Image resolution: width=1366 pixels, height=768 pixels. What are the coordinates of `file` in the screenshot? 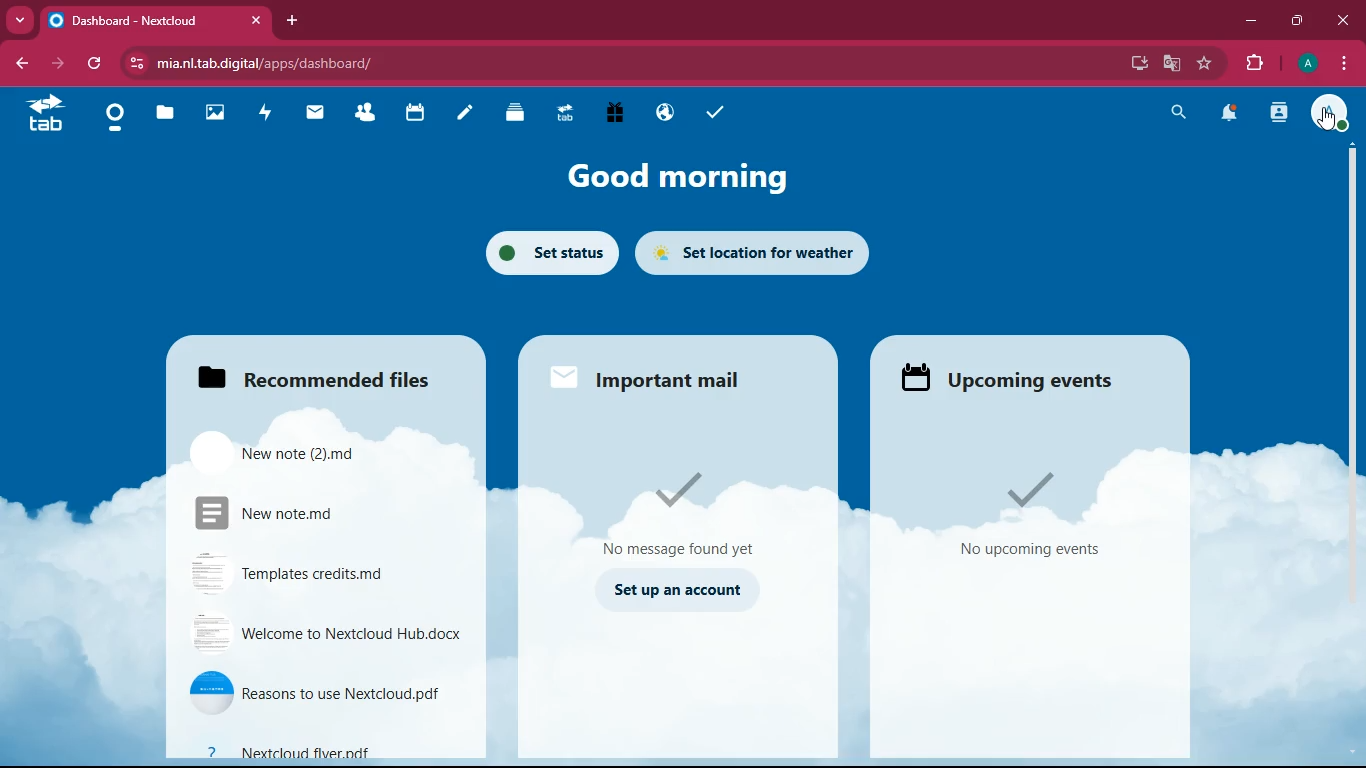 It's located at (316, 516).